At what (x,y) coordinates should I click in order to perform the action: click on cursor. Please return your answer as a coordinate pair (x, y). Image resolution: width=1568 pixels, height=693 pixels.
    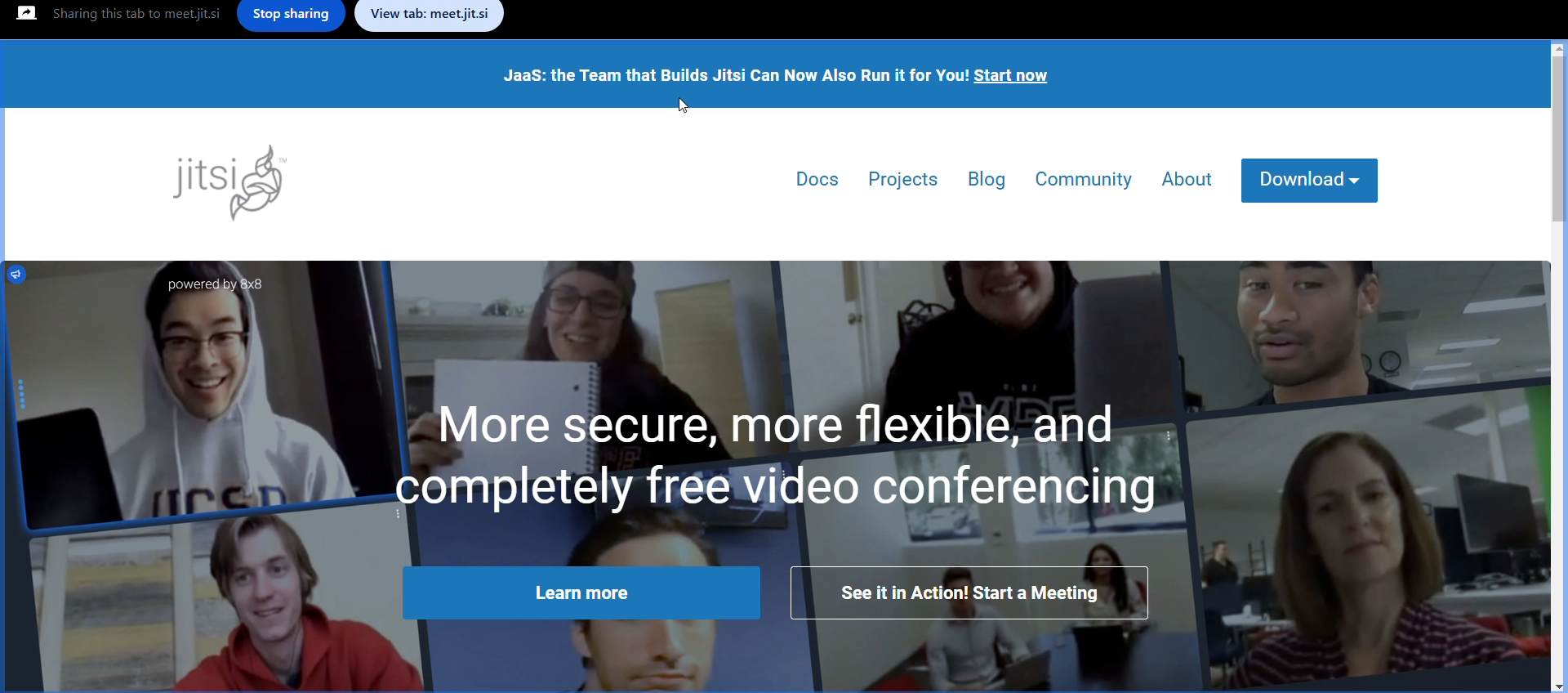
    Looking at the image, I should click on (682, 106).